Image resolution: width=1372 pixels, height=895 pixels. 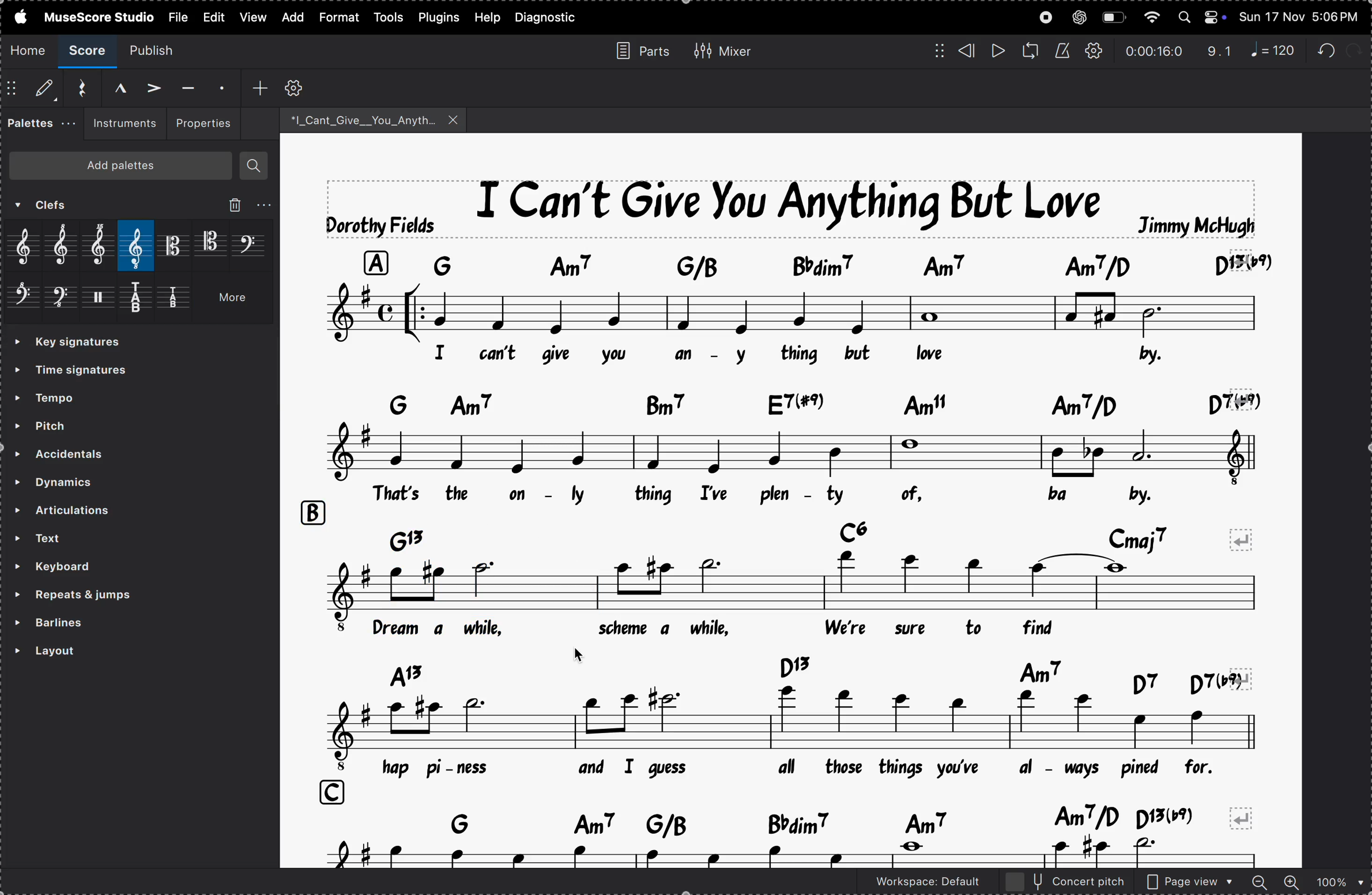 I want to click on rewind, so click(x=967, y=51).